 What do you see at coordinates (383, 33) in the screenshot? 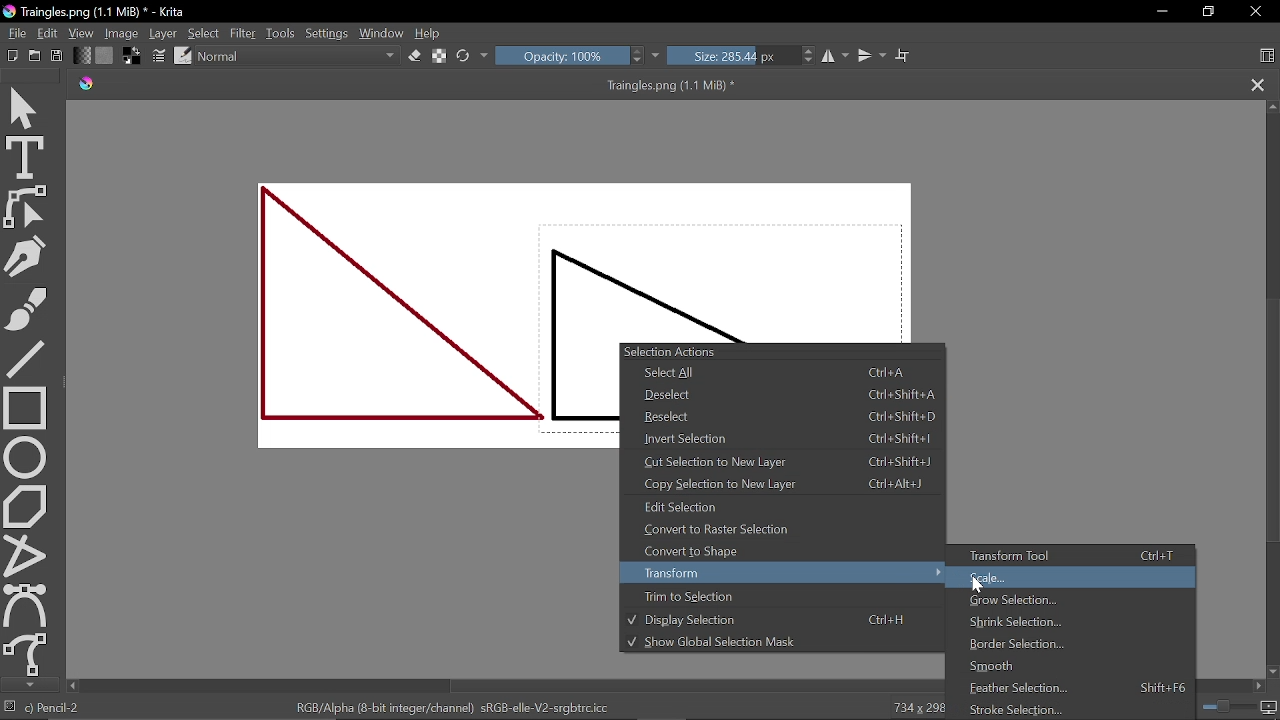
I see `Window` at bounding box center [383, 33].